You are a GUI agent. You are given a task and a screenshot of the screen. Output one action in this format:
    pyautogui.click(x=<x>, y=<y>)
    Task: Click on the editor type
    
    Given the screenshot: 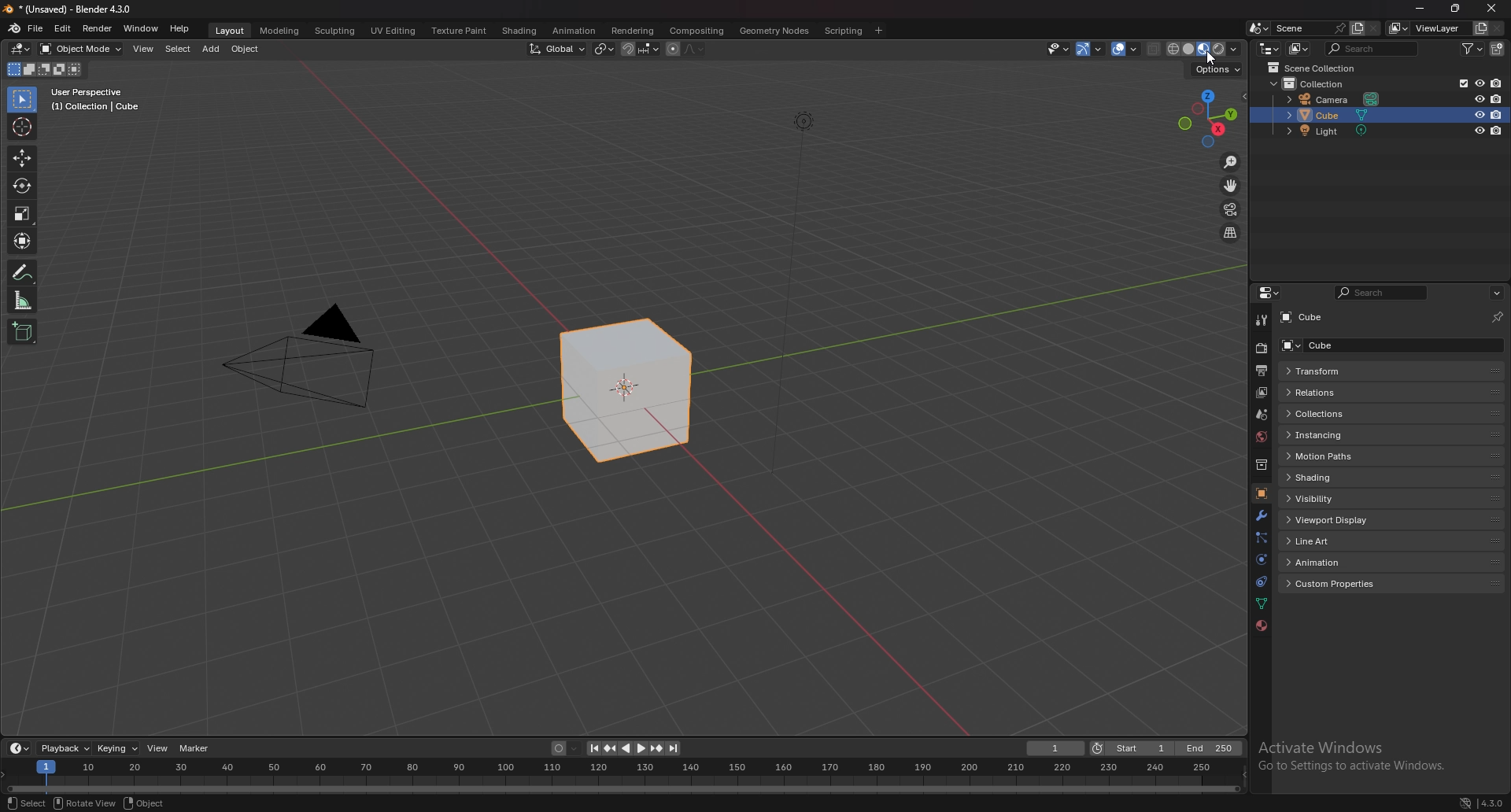 What is the action you would take?
    pyautogui.click(x=19, y=748)
    